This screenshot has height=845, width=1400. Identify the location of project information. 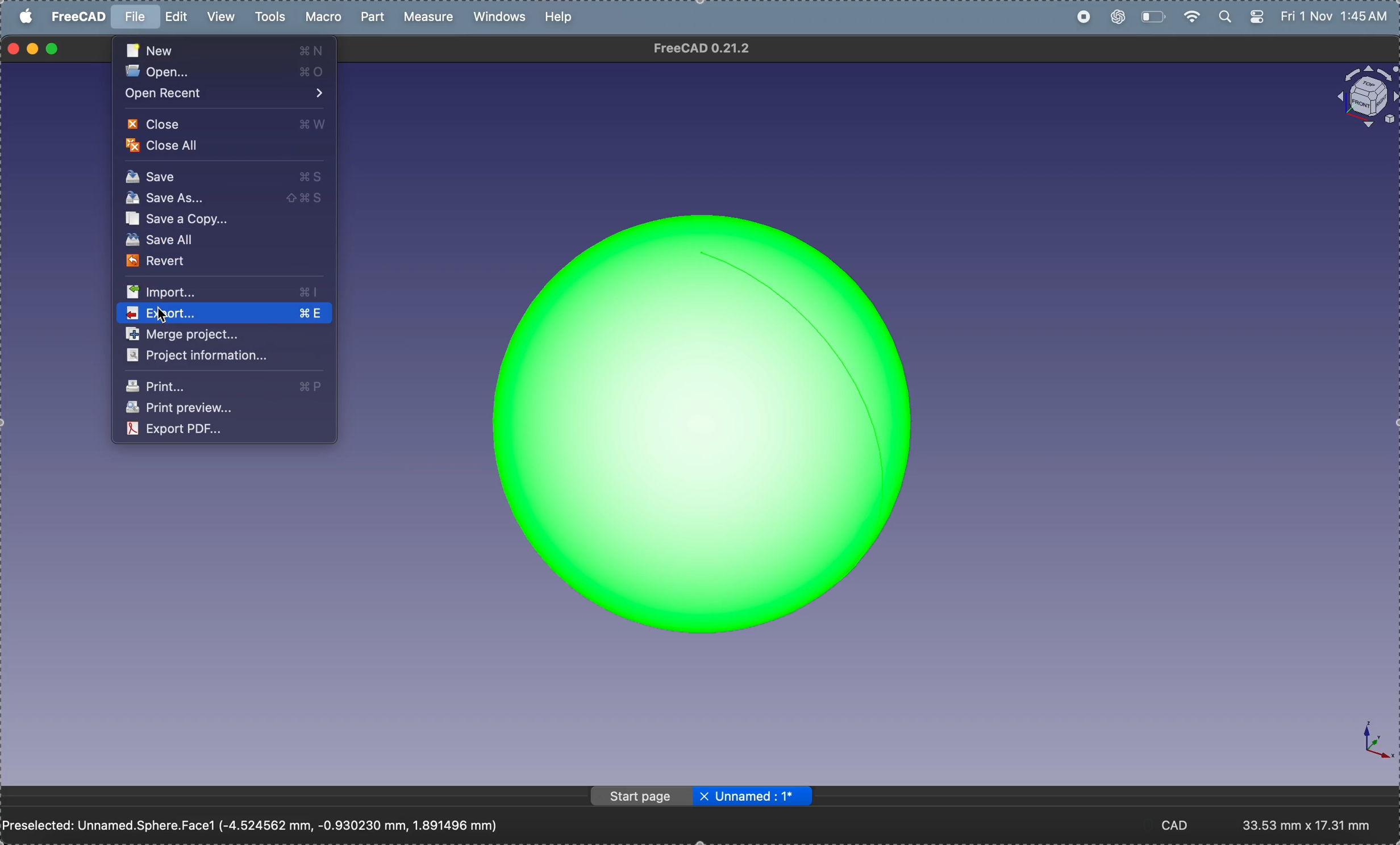
(222, 355).